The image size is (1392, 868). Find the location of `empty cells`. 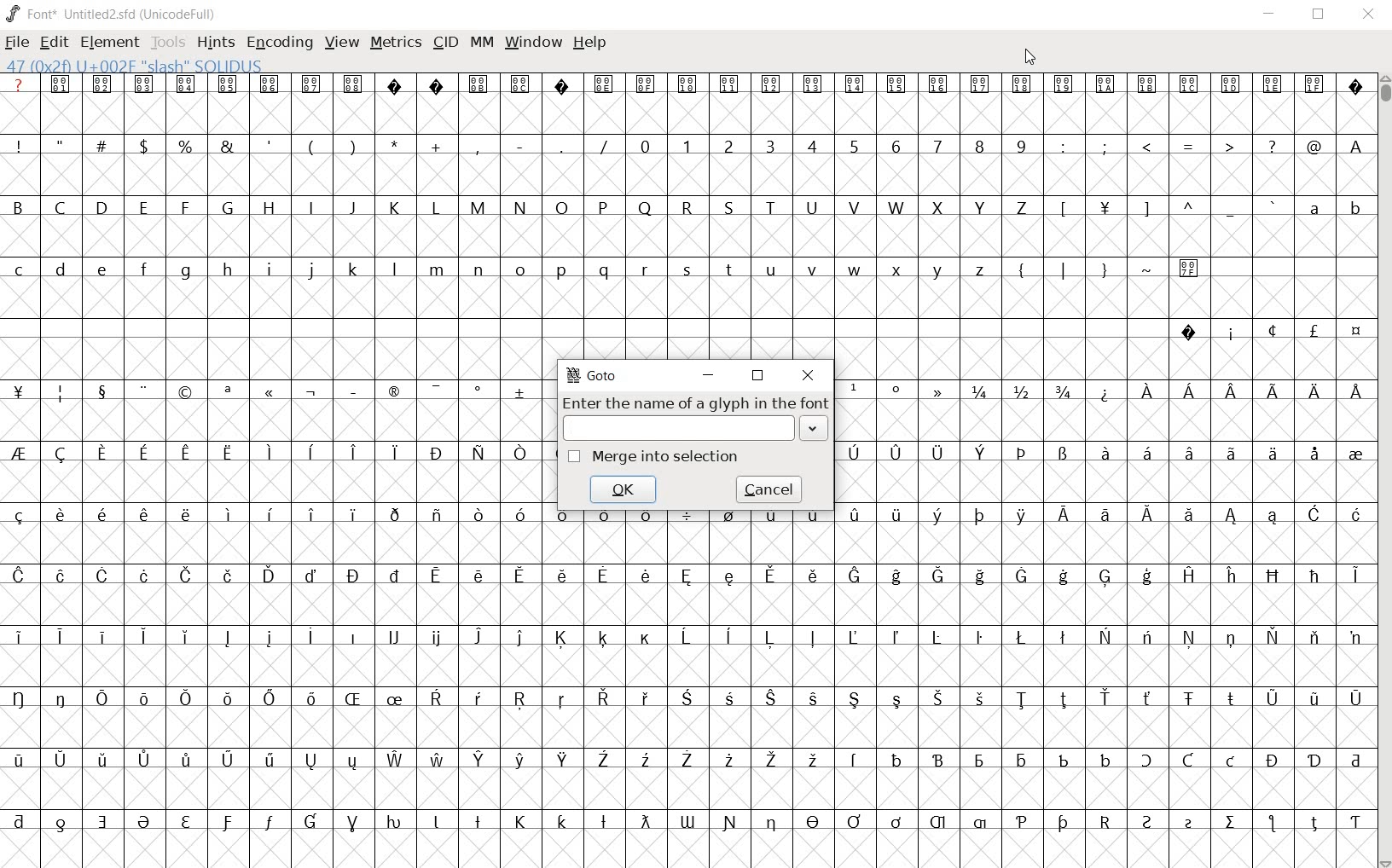

empty cells is located at coordinates (684, 726).